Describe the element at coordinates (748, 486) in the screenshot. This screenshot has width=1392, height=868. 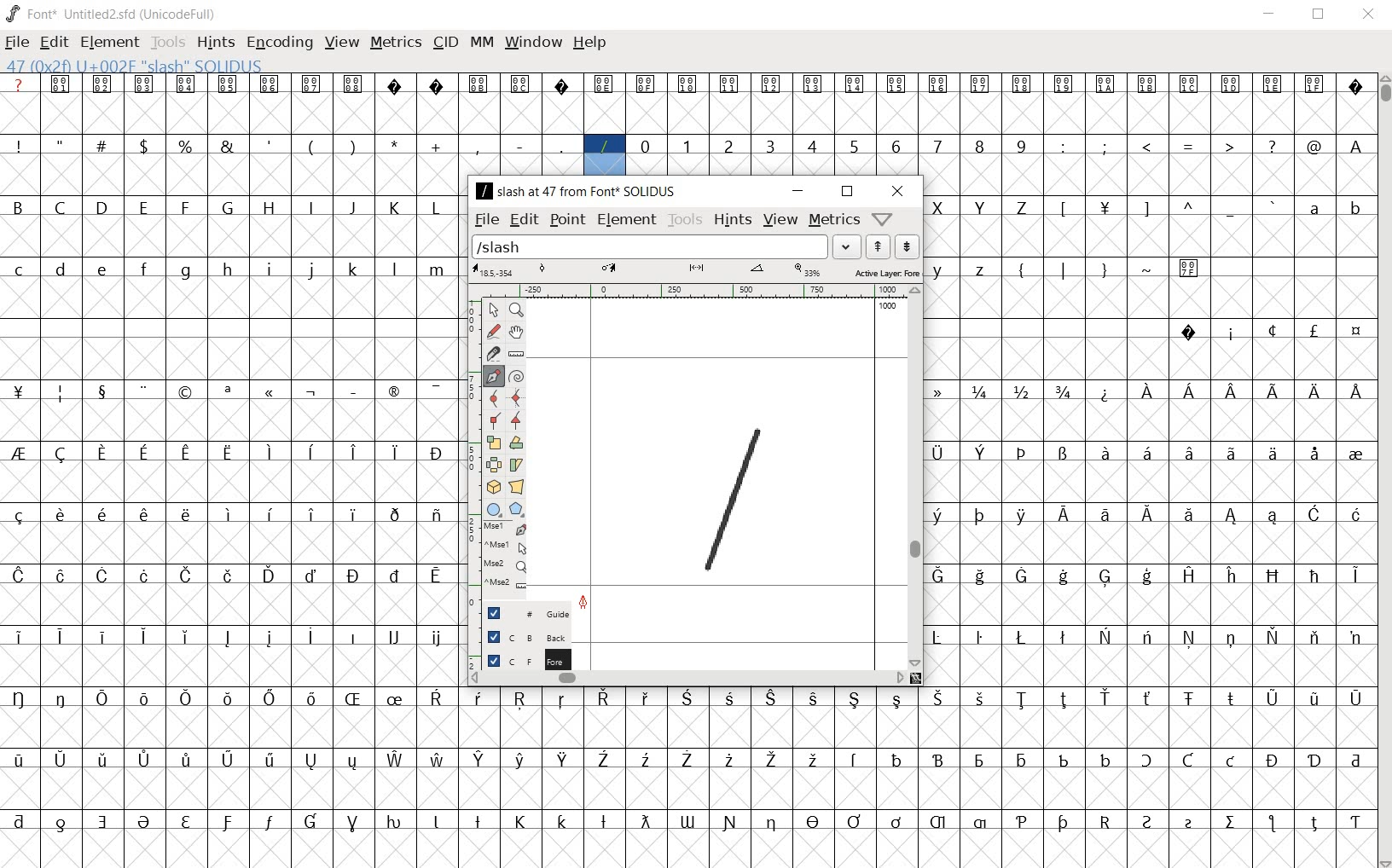
I see `line` at that location.